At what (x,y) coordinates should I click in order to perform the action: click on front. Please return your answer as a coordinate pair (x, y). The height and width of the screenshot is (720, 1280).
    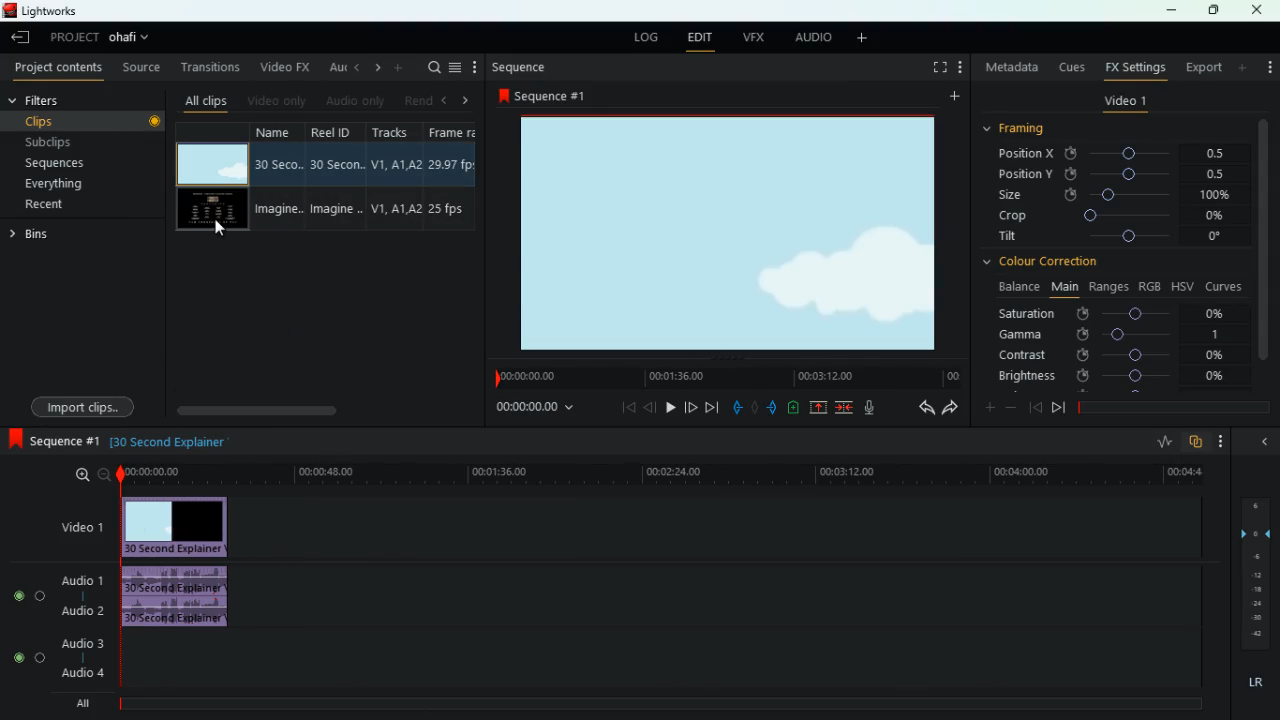
    Looking at the image, I should click on (1059, 407).